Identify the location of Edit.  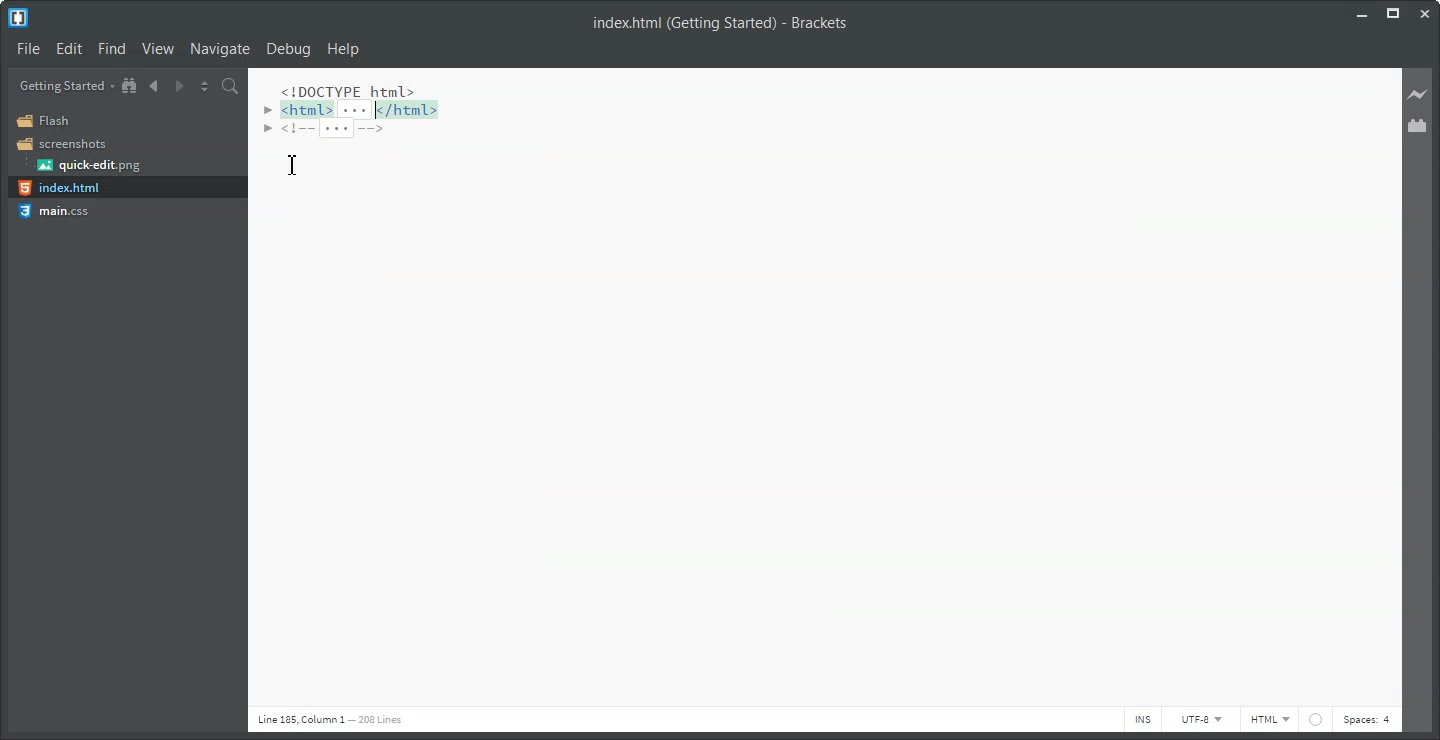
(70, 49).